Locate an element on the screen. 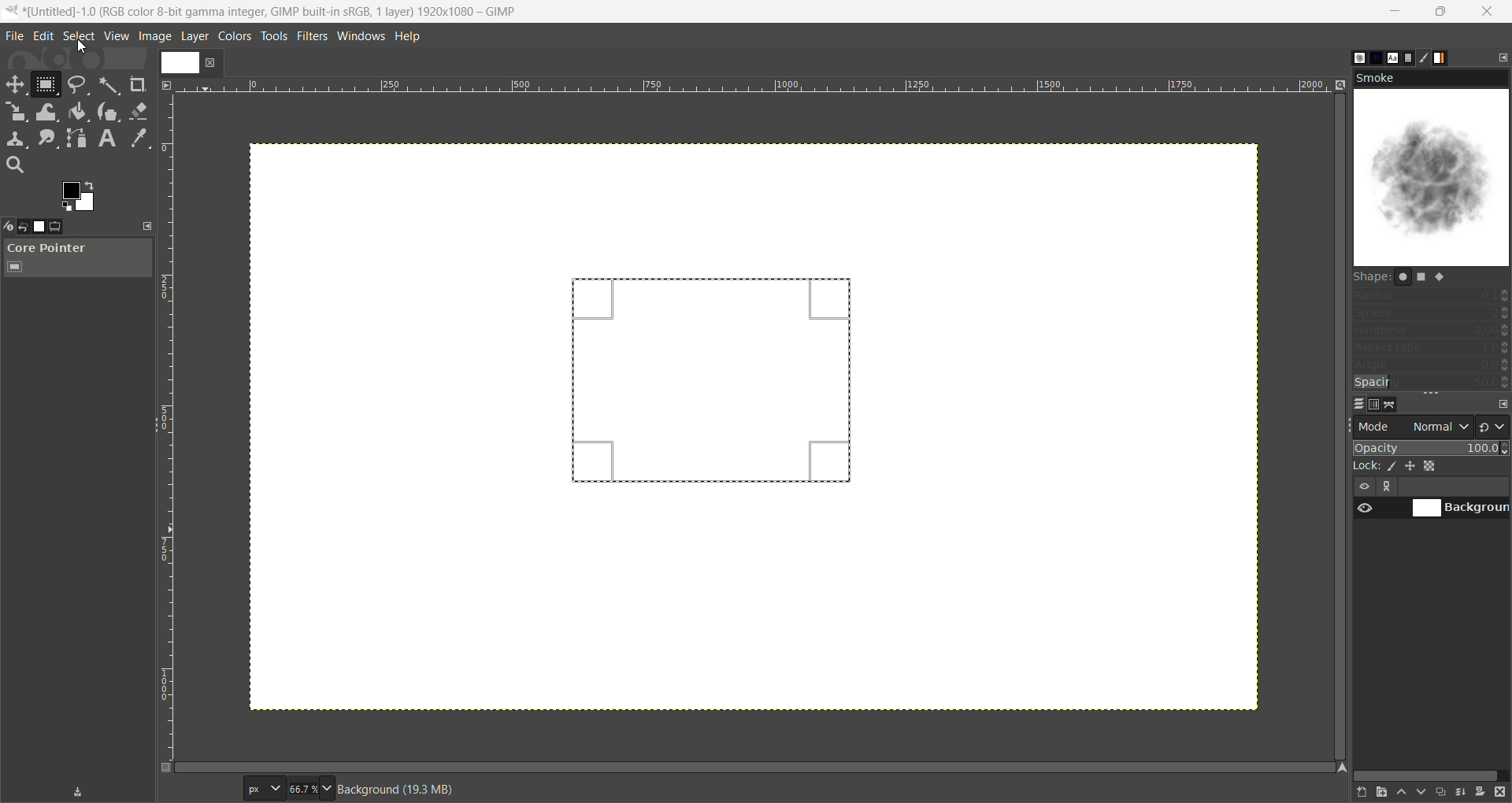  filters is located at coordinates (311, 36).